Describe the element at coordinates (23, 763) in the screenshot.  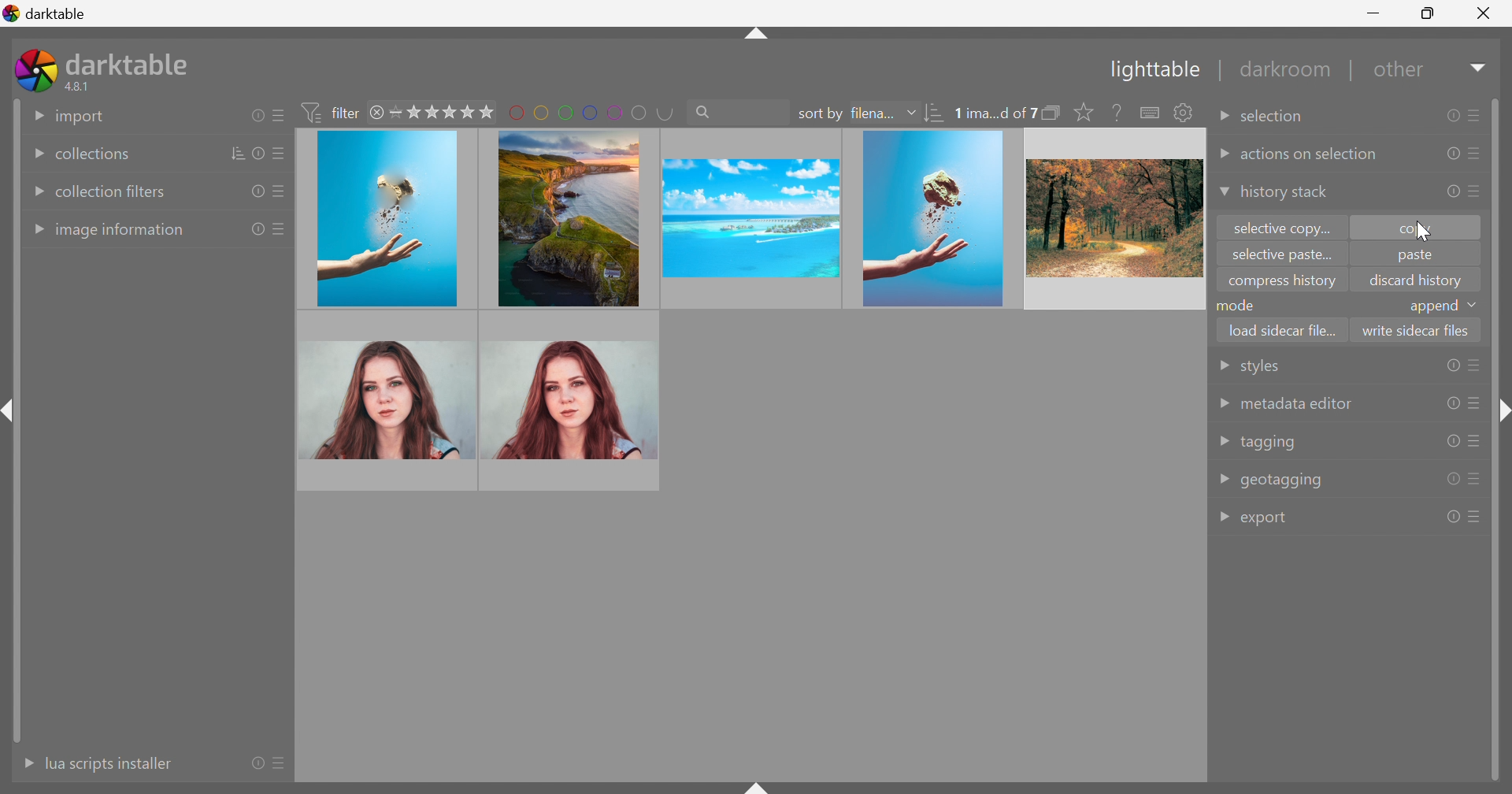
I see `More` at that location.